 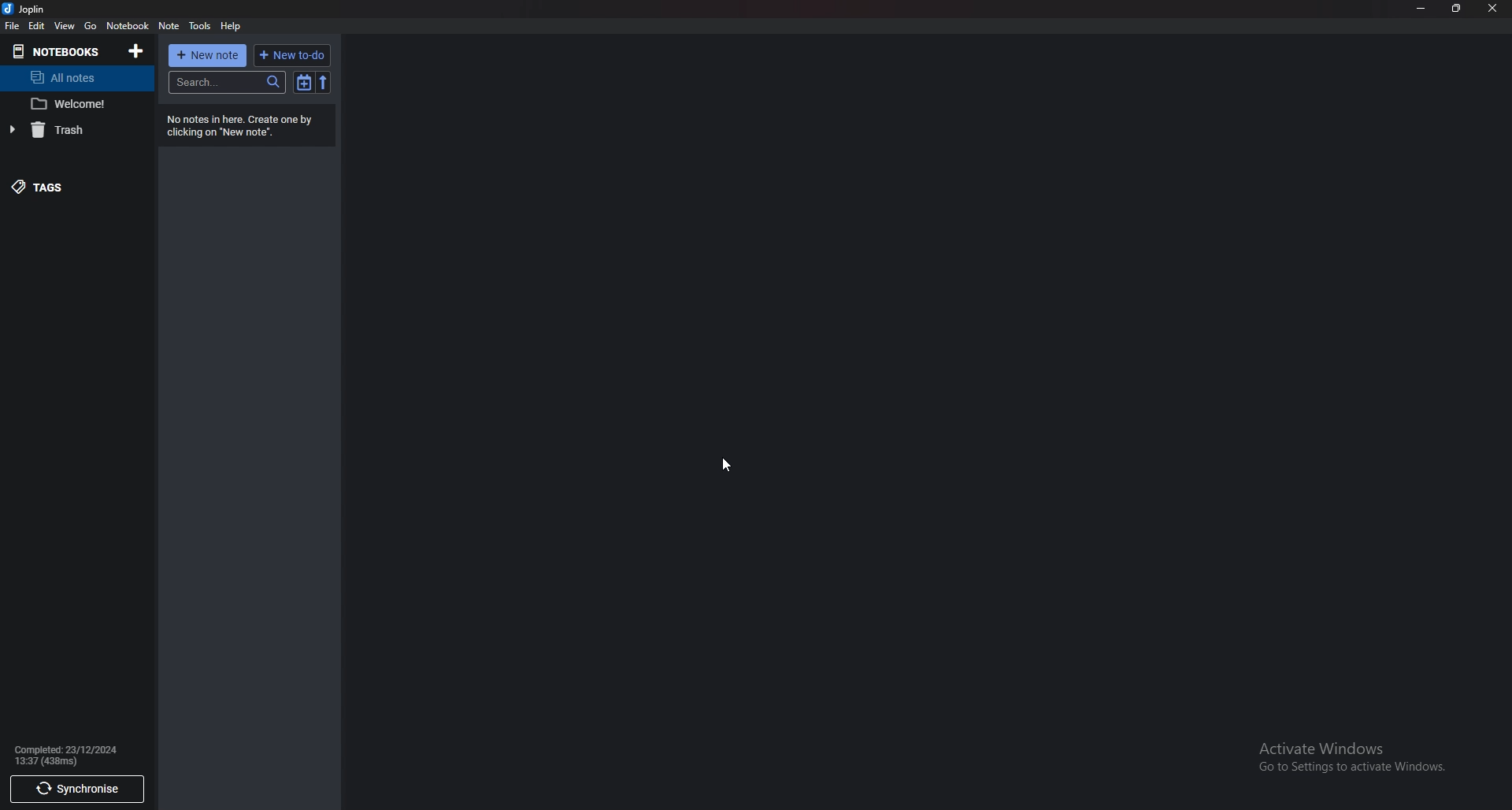 I want to click on New to do, so click(x=291, y=56).